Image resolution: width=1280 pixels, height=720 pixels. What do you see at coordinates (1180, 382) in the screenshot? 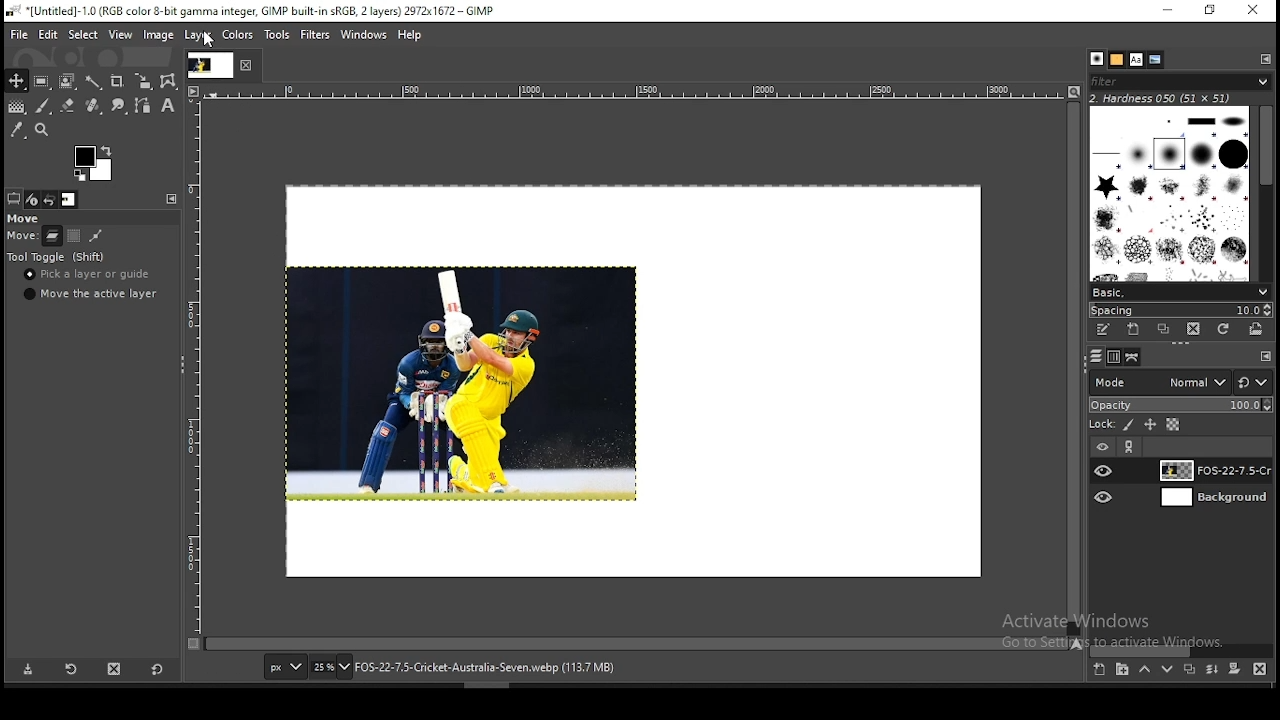
I see `blend mode` at bounding box center [1180, 382].